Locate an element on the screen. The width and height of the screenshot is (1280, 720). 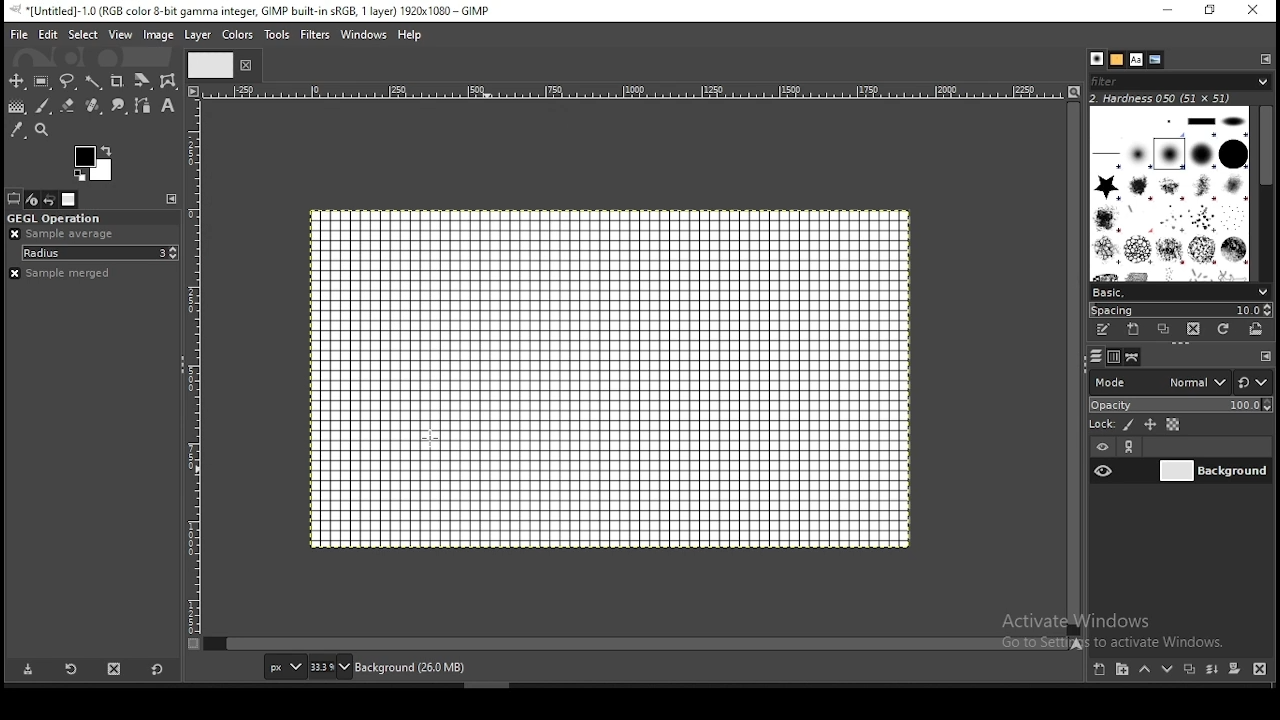
paths tool is located at coordinates (148, 104).